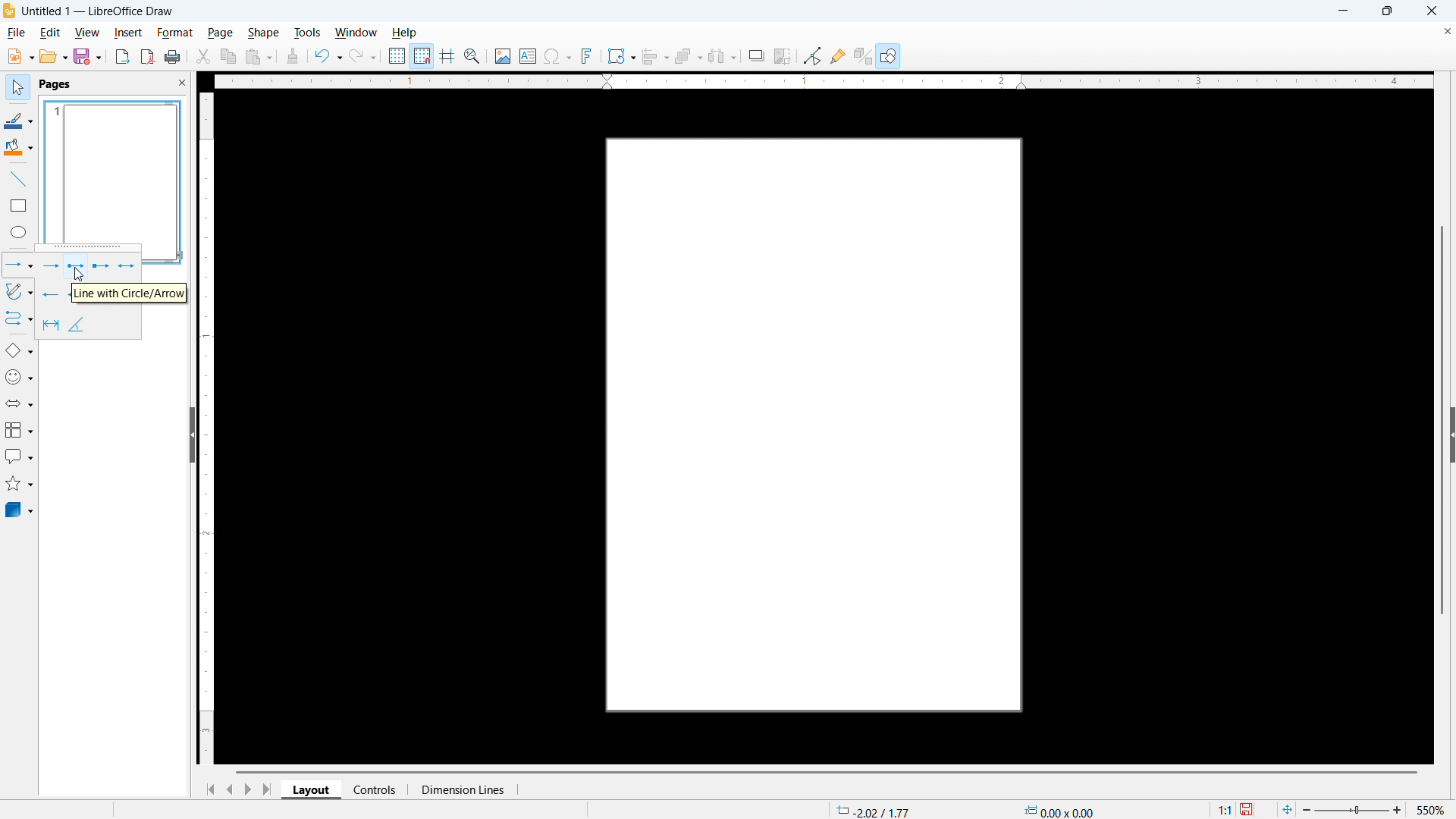  I want to click on save , so click(1248, 809).